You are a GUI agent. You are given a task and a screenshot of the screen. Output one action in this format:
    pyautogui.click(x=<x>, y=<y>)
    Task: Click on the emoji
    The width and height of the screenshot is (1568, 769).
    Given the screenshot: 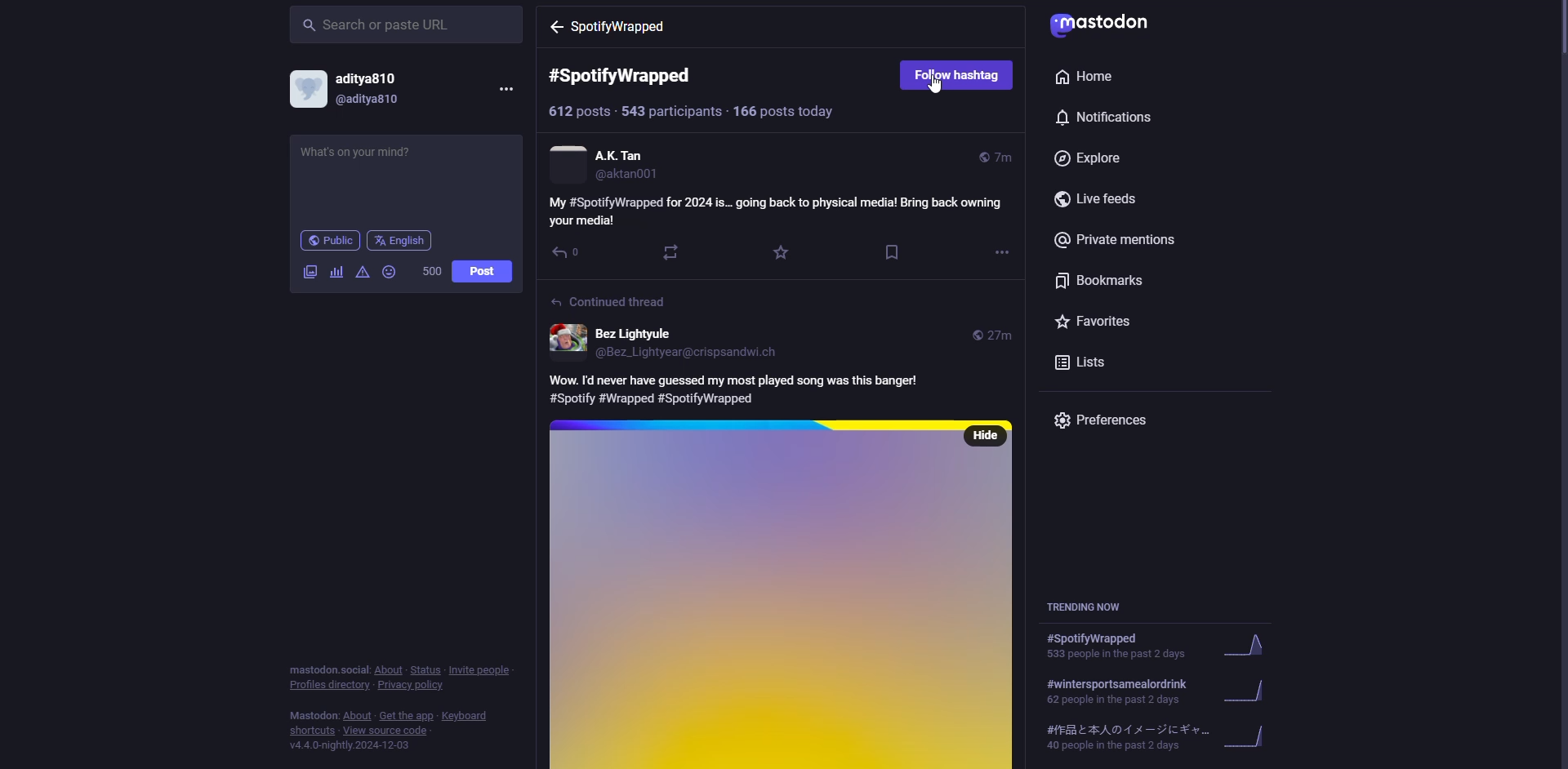 What is the action you would take?
    pyautogui.click(x=389, y=272)
    